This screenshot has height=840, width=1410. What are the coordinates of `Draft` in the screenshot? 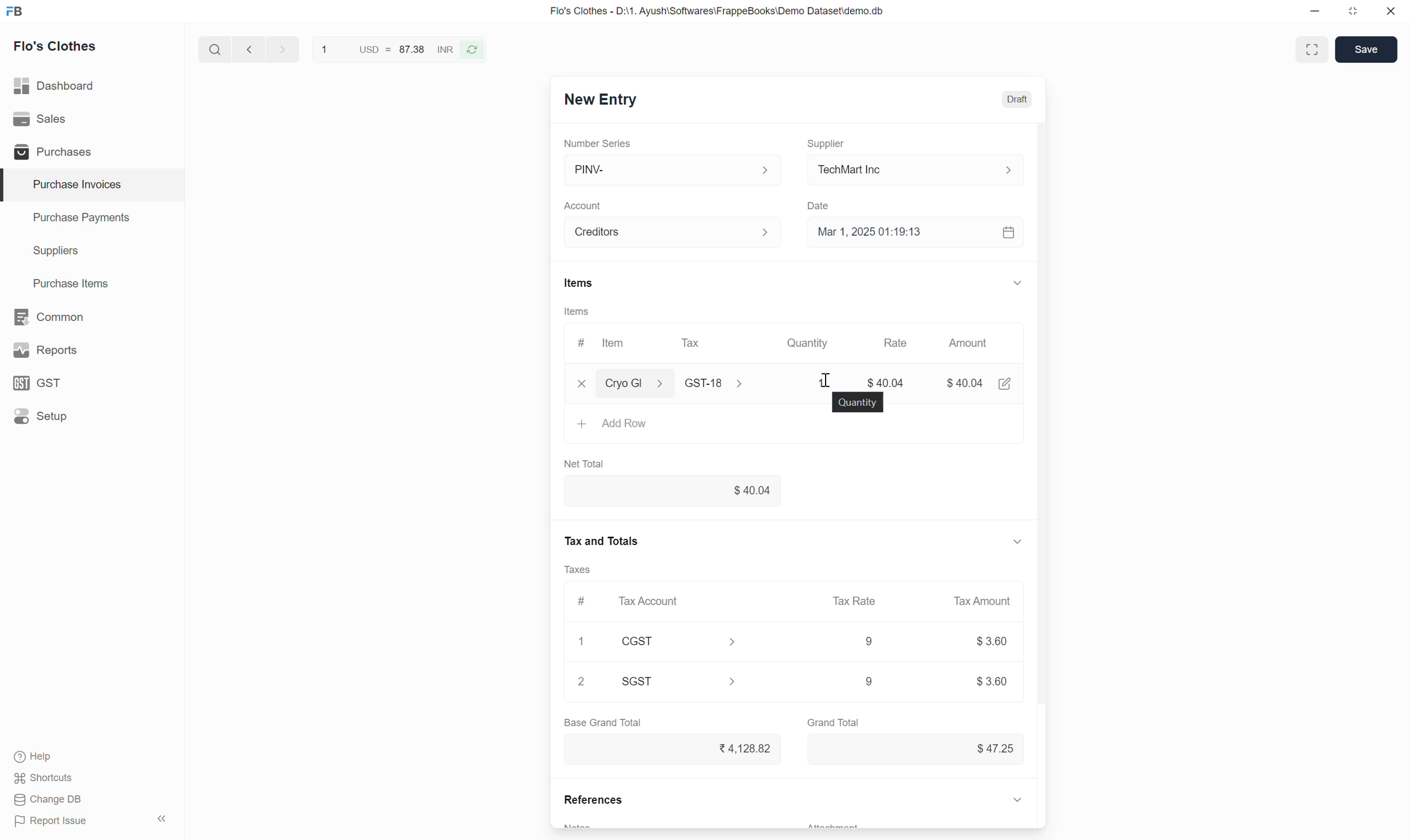 It's located at (1018, 100).